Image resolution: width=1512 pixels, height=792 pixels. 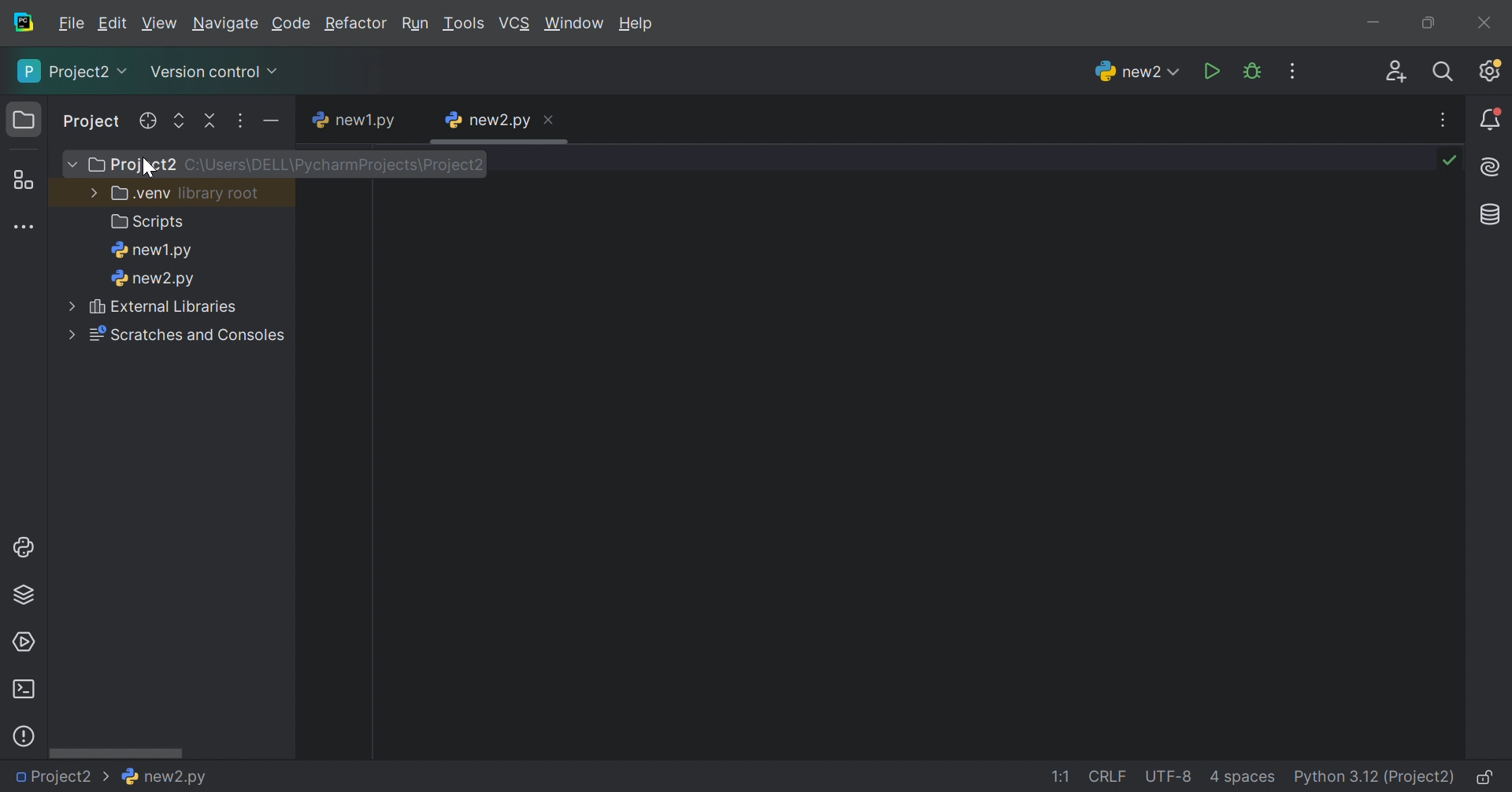 What do you see at coordinates (20, 23) in the screenshot?
I see `PyCharm icon` at bounding box center [20, 23].